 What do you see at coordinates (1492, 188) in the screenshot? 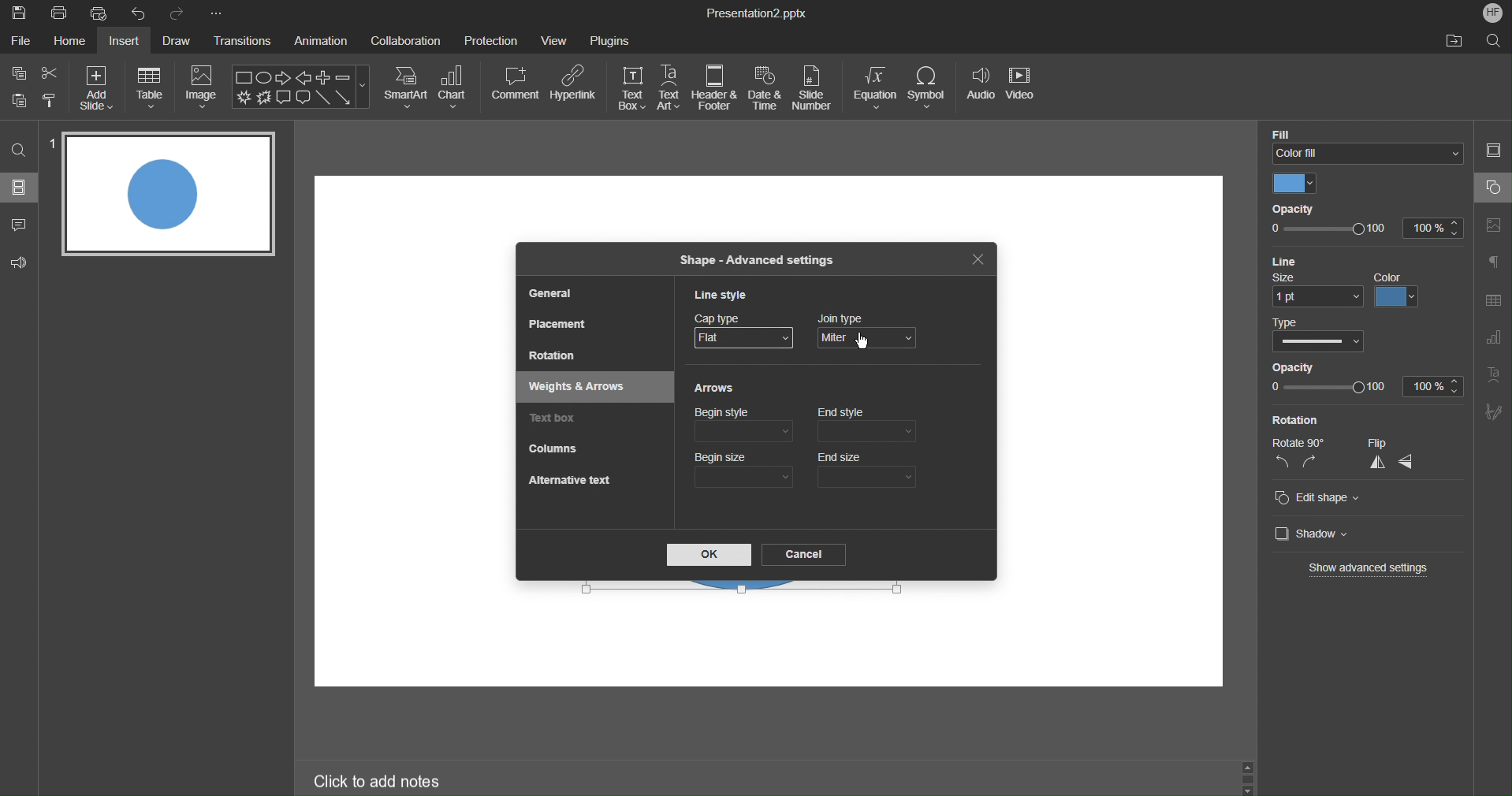
I see `Shape Settings` at bounding box center [1492, 188].